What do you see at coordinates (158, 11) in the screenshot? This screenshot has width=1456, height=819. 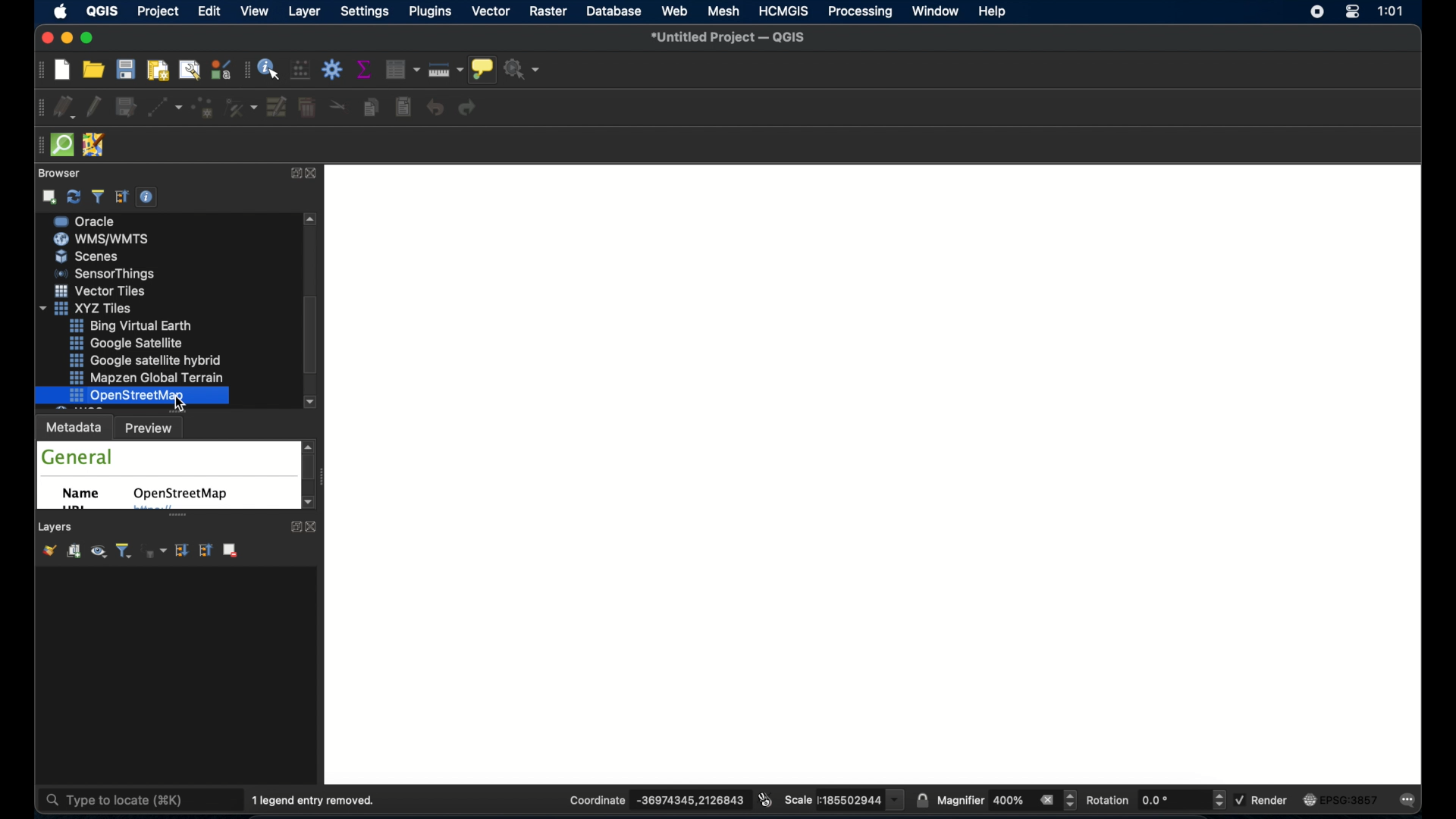 I see `project` at bounding box center [158, 11].